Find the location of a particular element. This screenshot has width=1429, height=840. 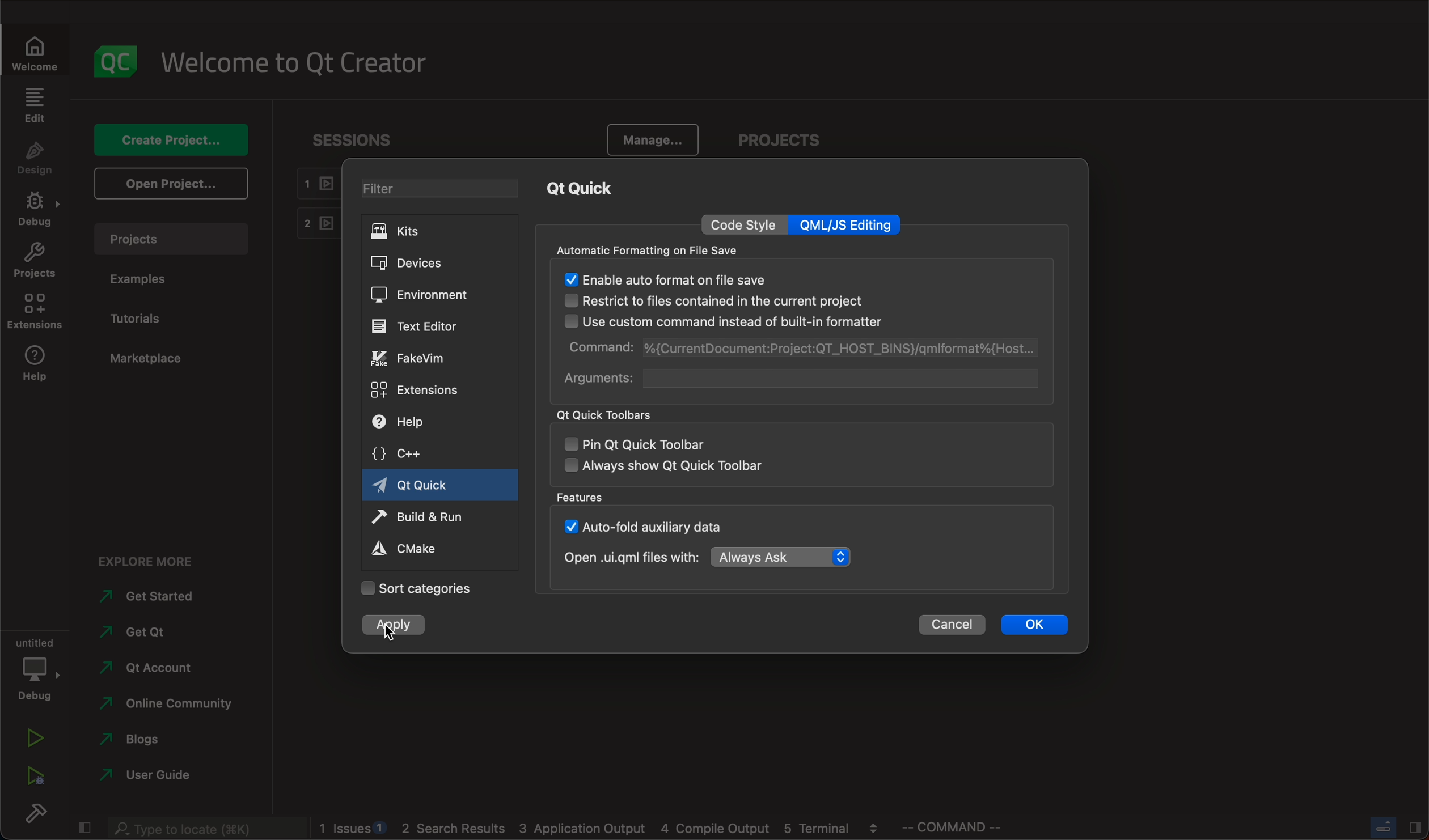

auto is located at coordinates (667, 525).